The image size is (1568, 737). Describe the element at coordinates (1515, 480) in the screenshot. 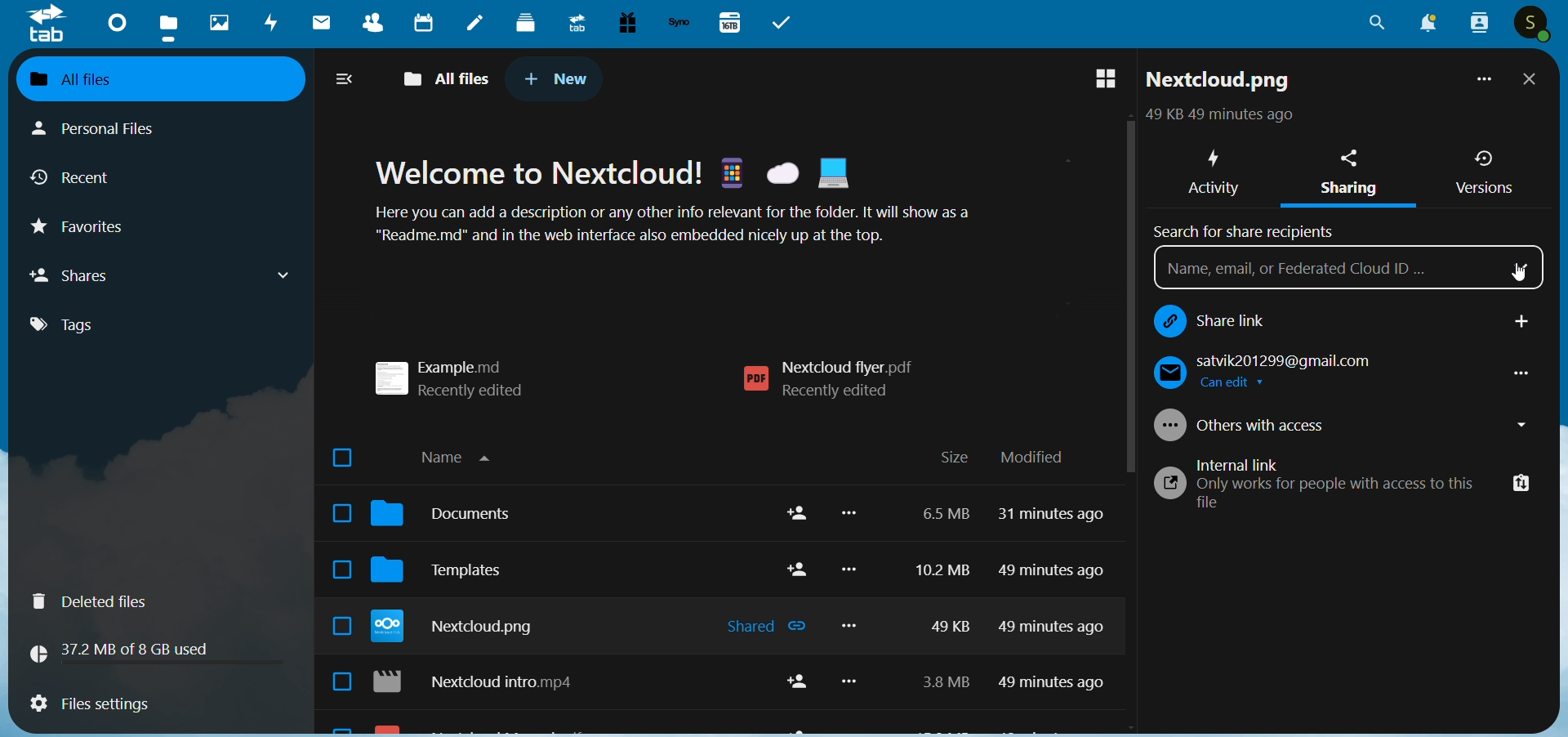

I see `copy link` at that location.